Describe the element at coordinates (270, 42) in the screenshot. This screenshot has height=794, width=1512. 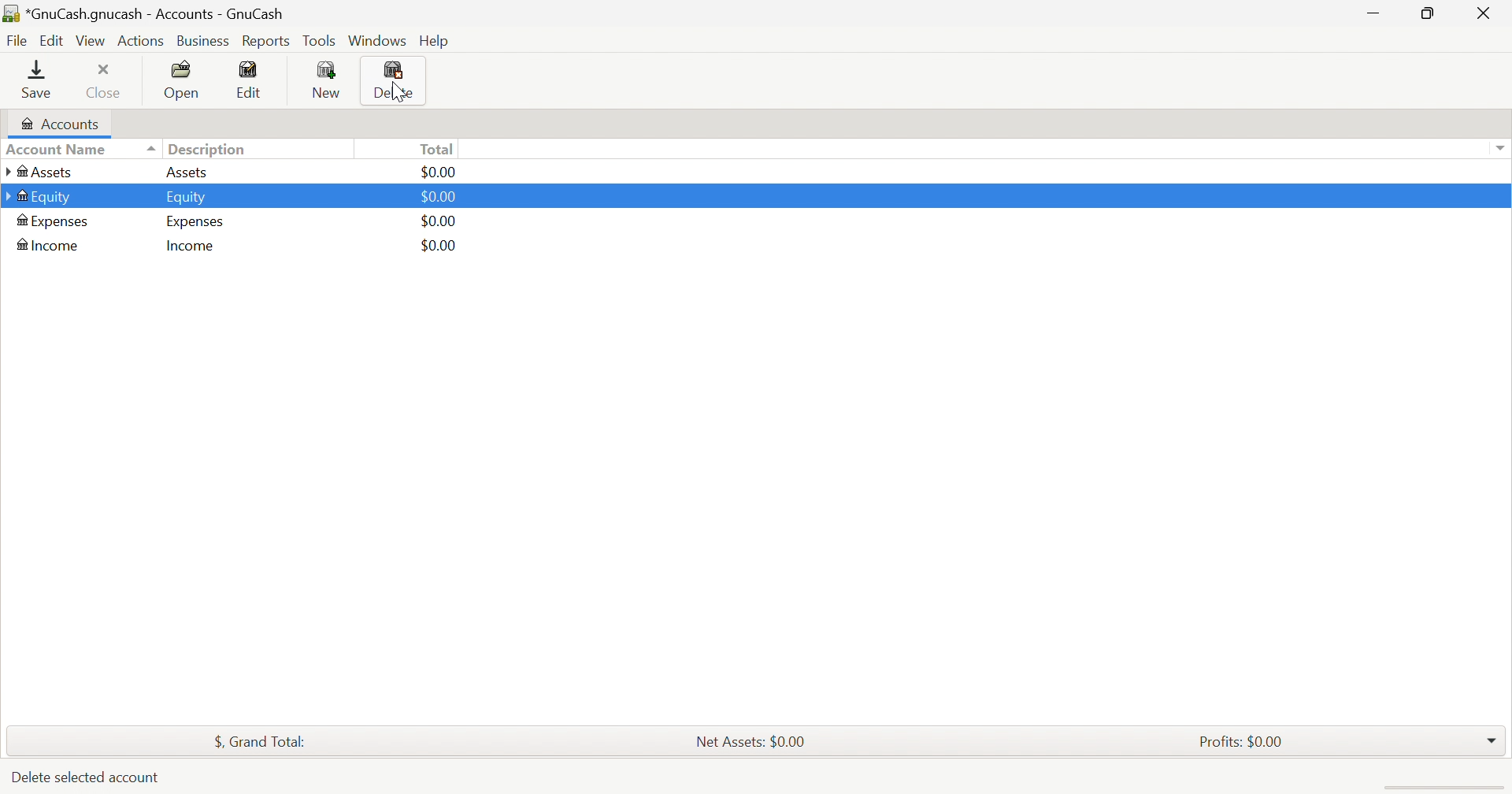
I see `Reports` at that location.